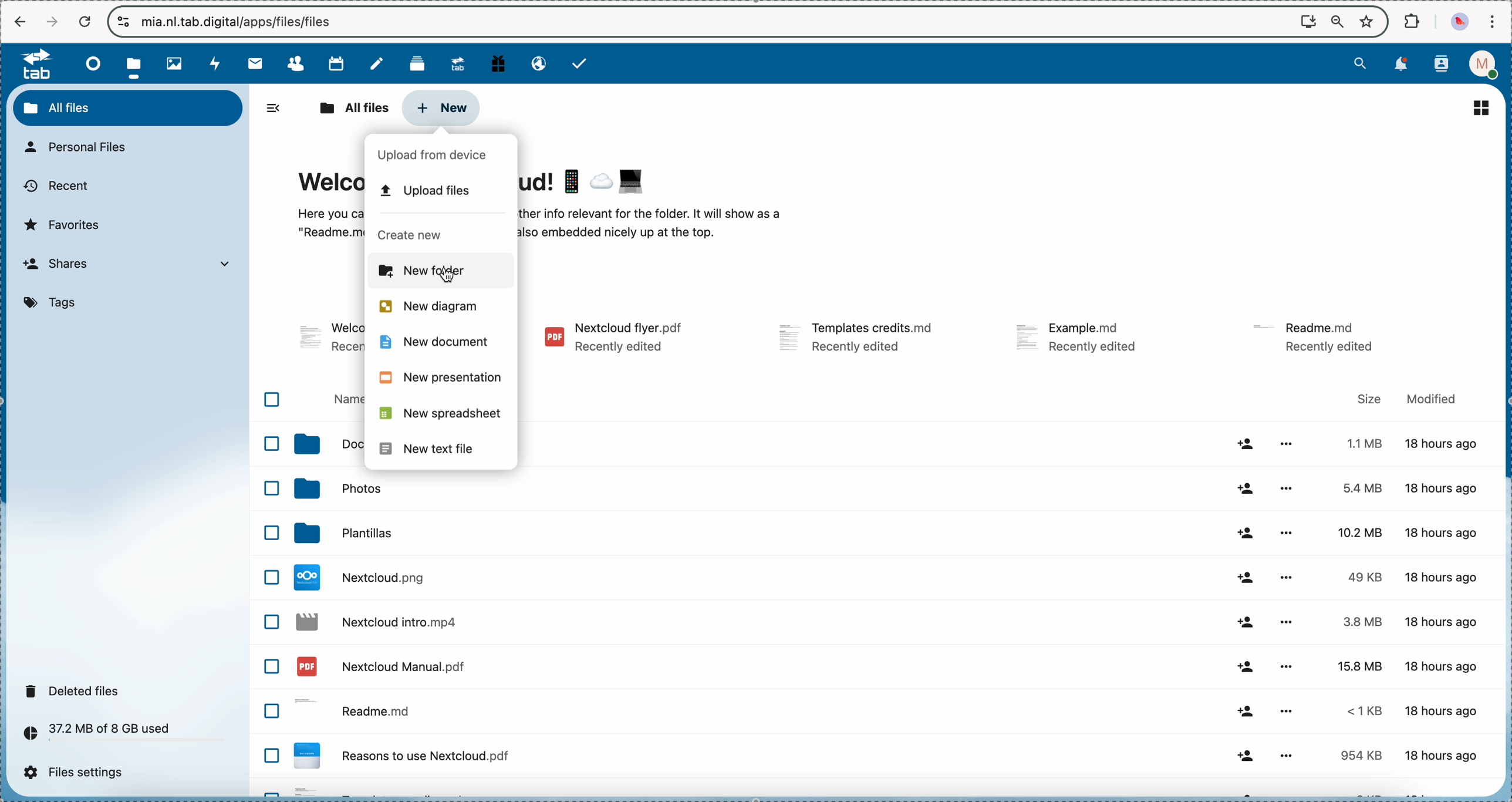  I want to click on click on new, so click(440, 108).